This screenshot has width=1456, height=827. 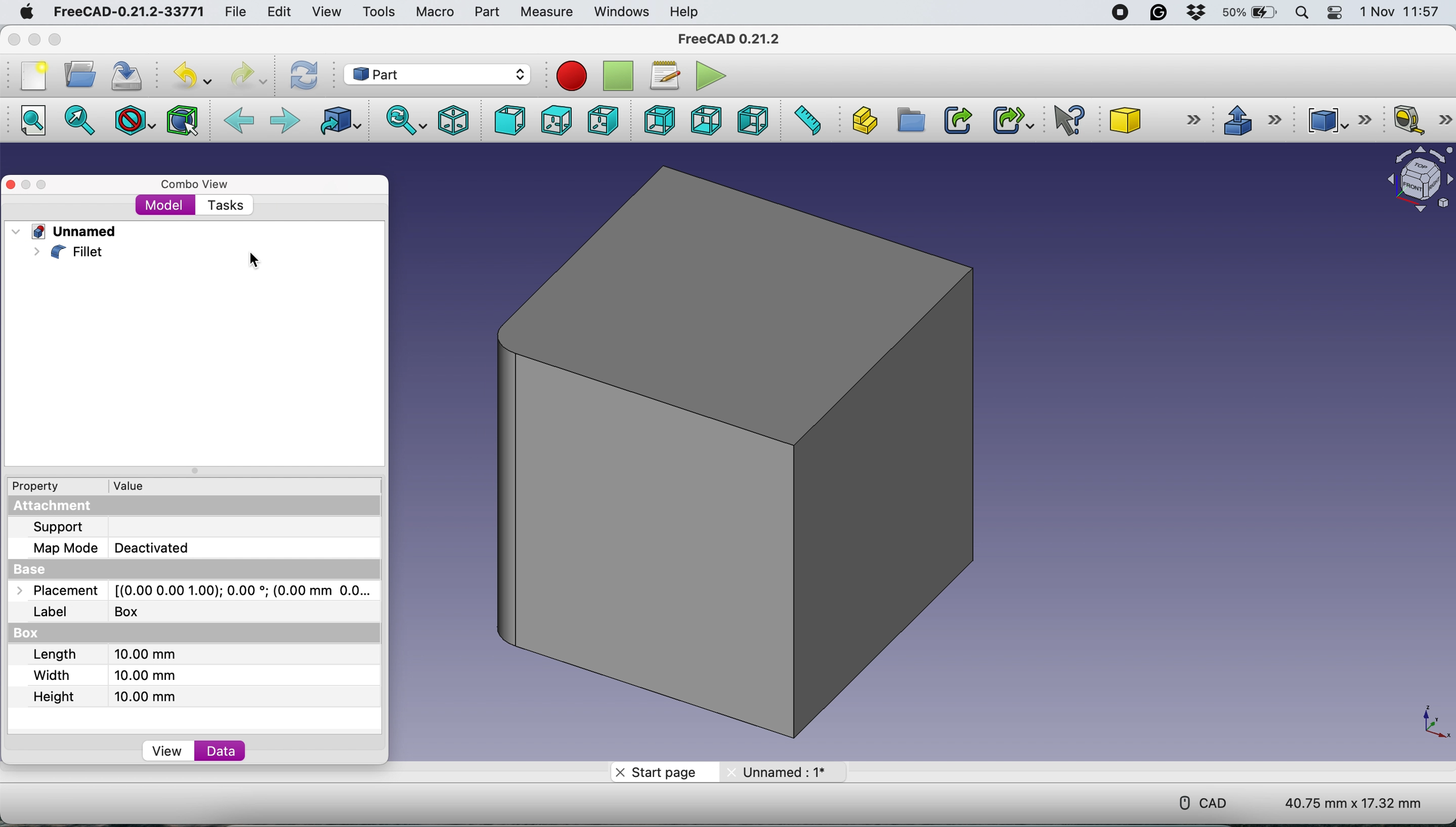 What do you see at coordinates (1414, 182) in the screenshot?
I see `object interface` at bounding box center [1414, 182].